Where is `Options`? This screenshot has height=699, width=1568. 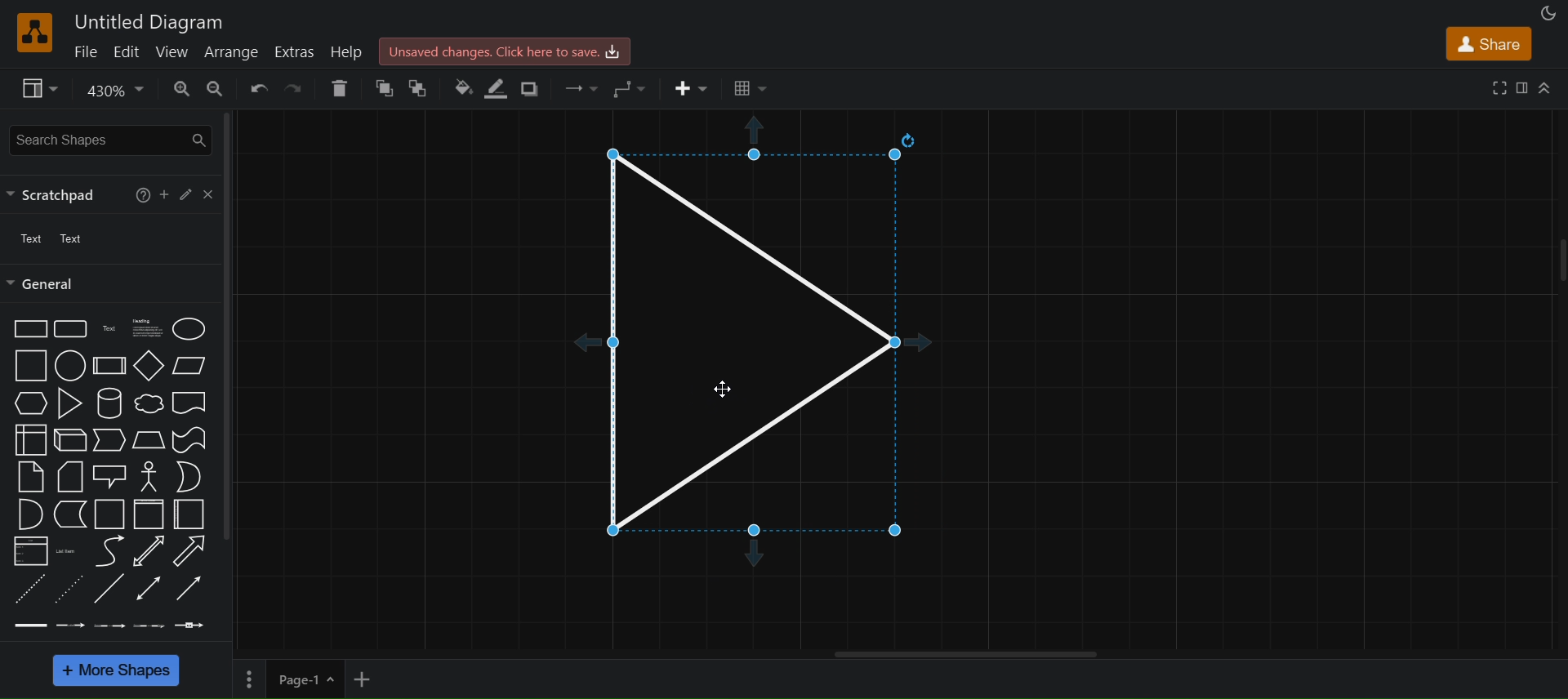 Options is located at coordinates (250, 676).